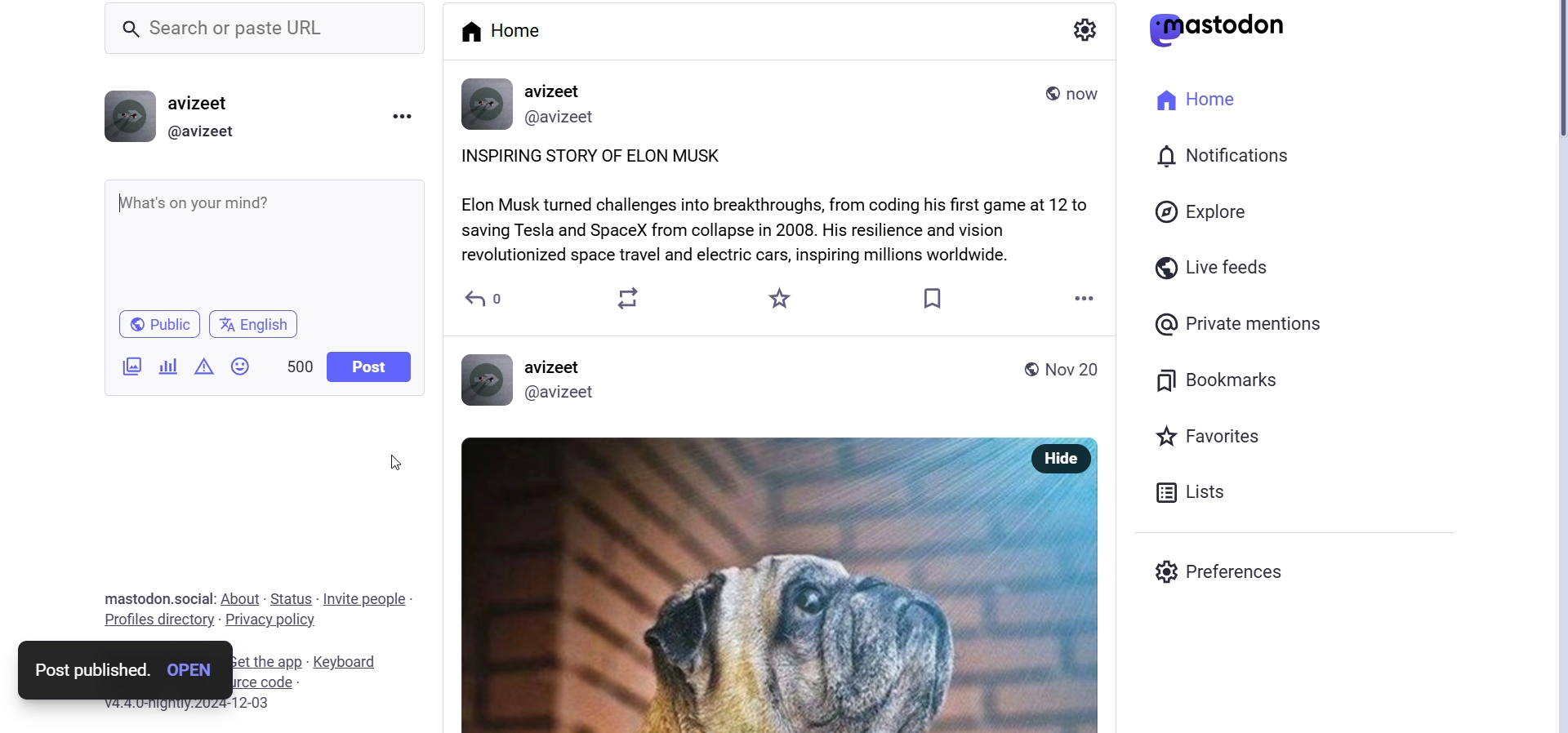  Describe the element at coordinates (1085, 29) in the screenshot. I see `show settings` at that location.